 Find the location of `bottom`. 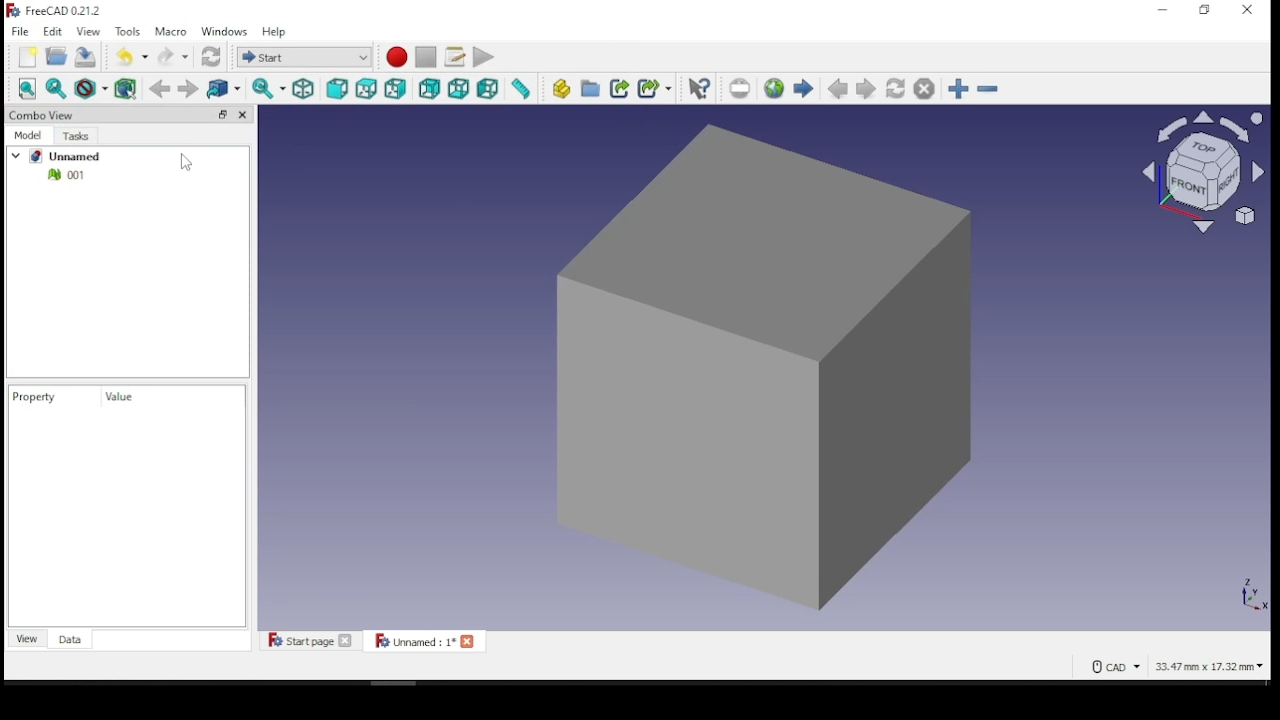

bottom is located at coordinates (459, 87).